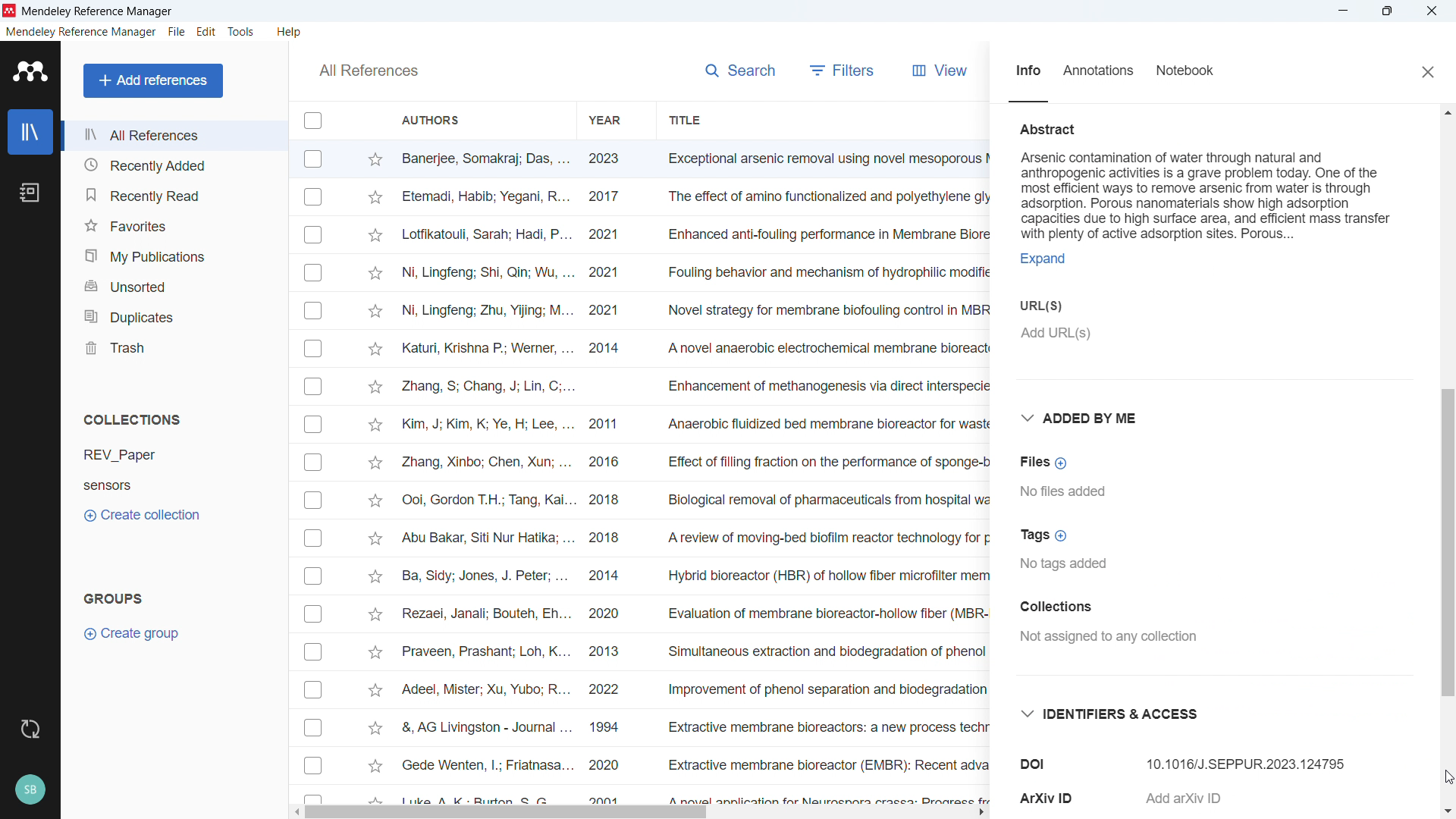 Image resolution: width=1456 pixels, height=819 pixels. Describe the element at coordinates (315, 613) in the screenshot. I see `` at that location.